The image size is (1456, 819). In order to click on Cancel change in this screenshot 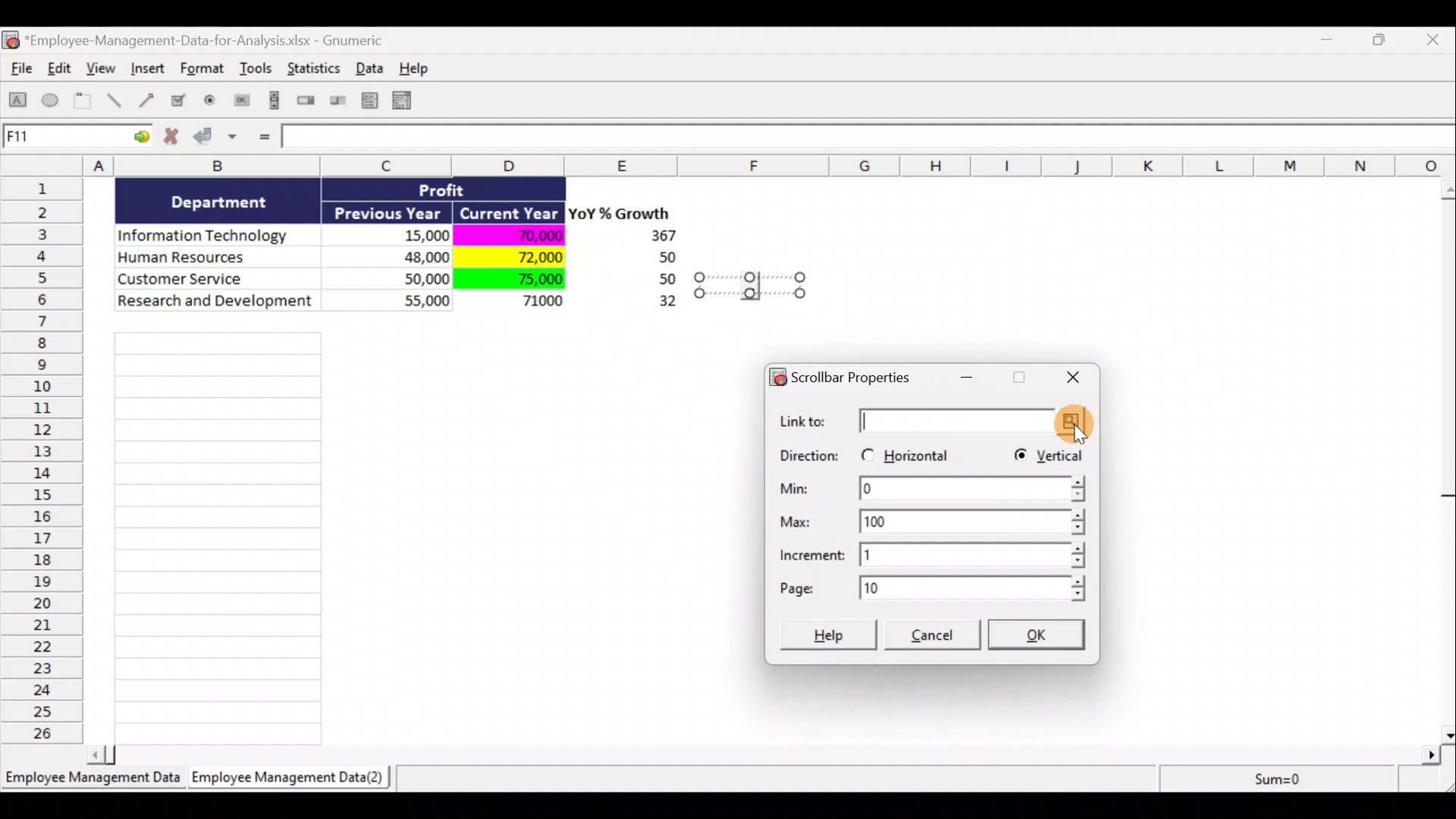, I will do `click(176, 140)`.